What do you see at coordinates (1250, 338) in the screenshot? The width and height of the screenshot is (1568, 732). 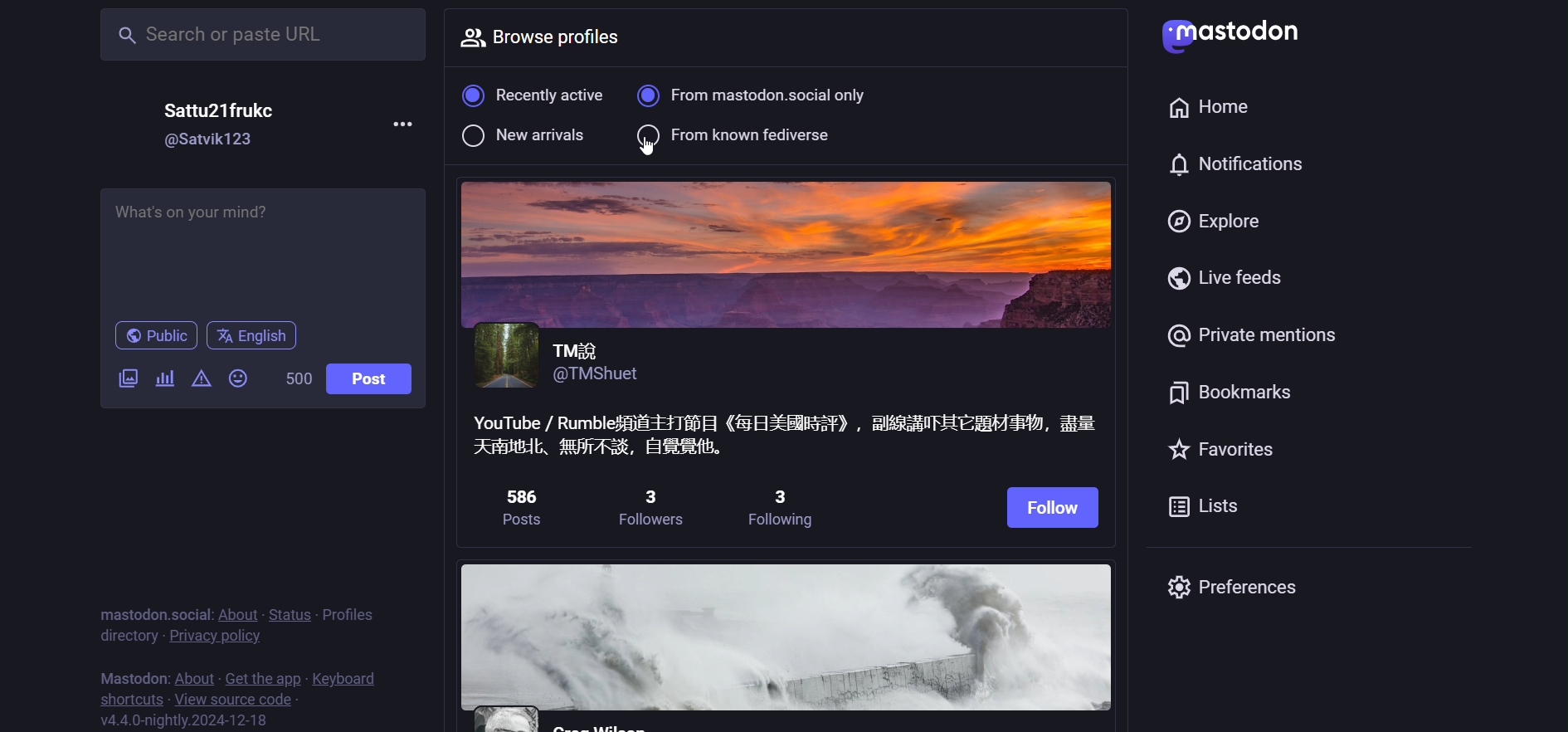 I see `private mention` at bounding box center [1250, 338].